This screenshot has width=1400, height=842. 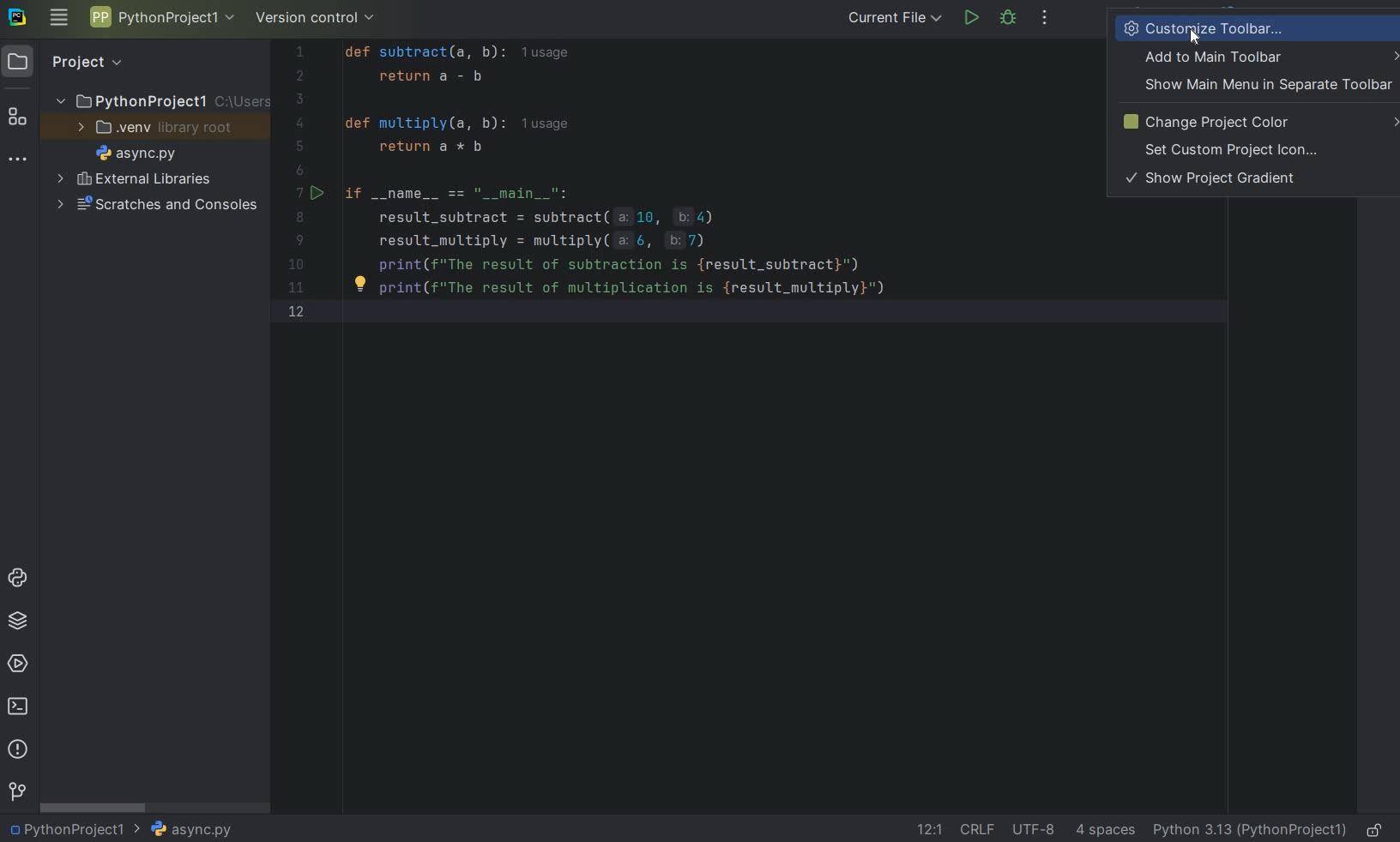 I want to click on PROJECT NAME, so click(x=75, y=827).